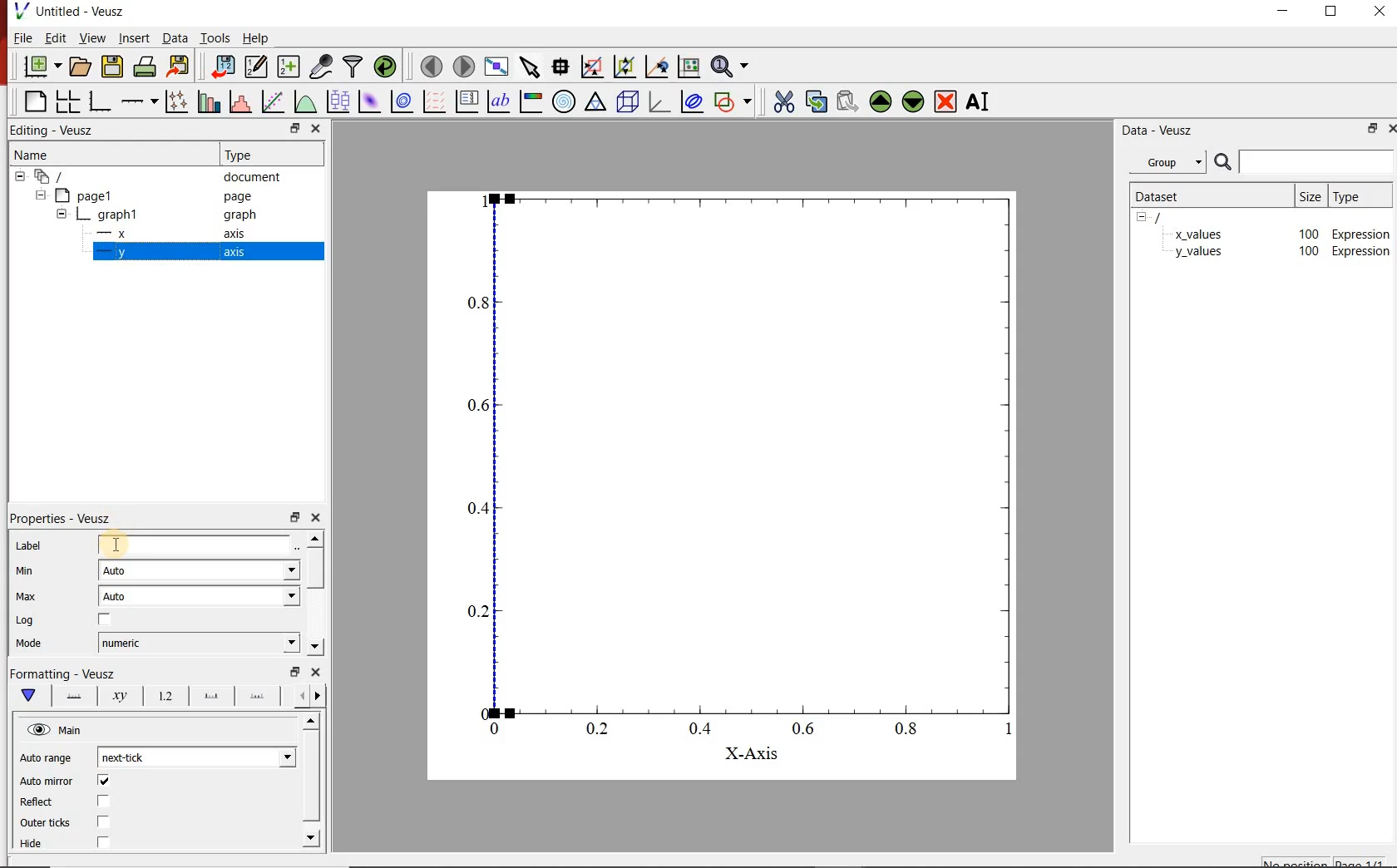 The height and width of the screenshot is (868, 1397). What do you see at coordinates (241, 102) in the screenshot?
I see `histogram of a dataset` at bounding box center [241, 102].